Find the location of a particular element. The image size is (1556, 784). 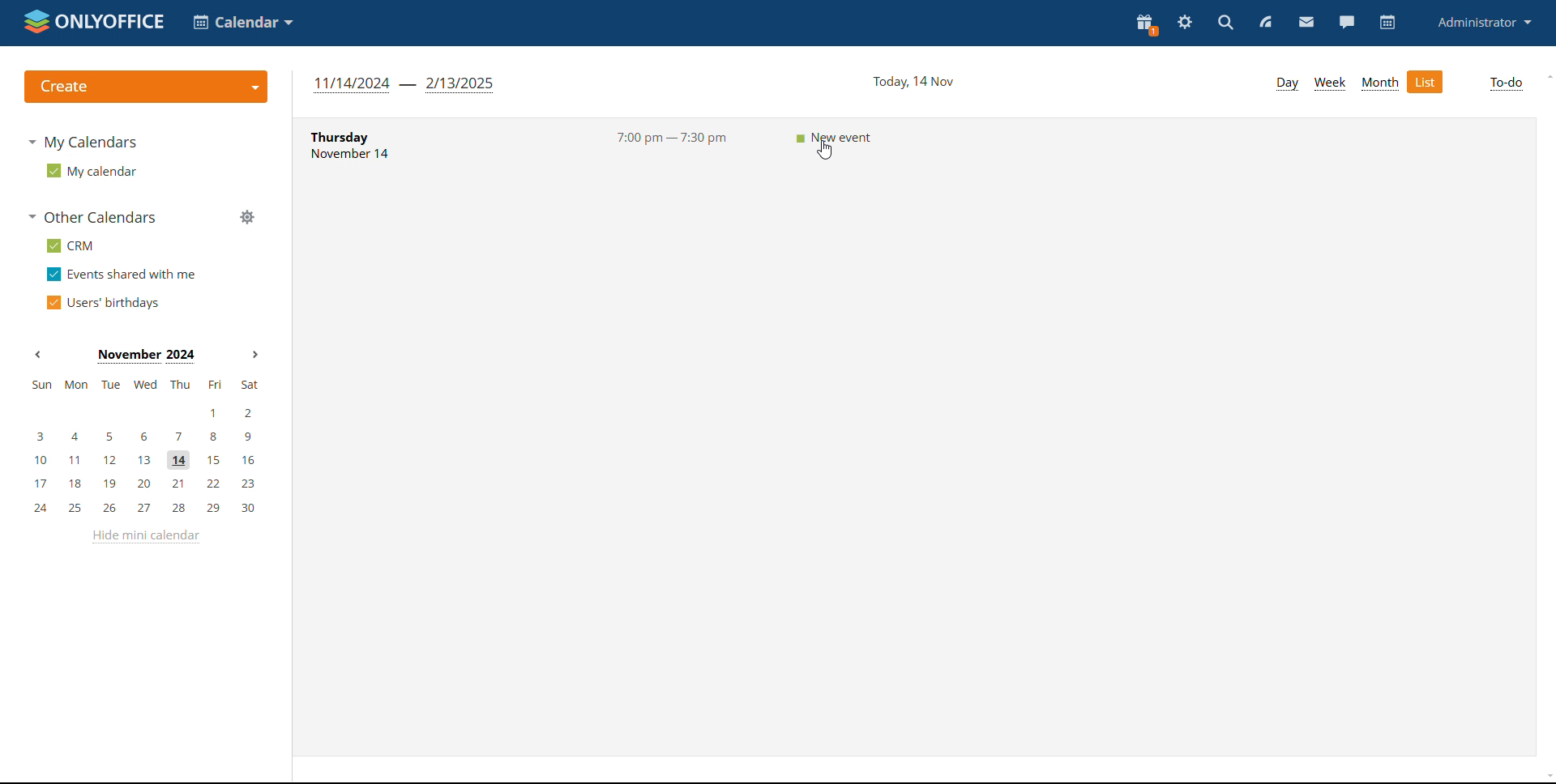

manage is located at coordinates (247, 219).